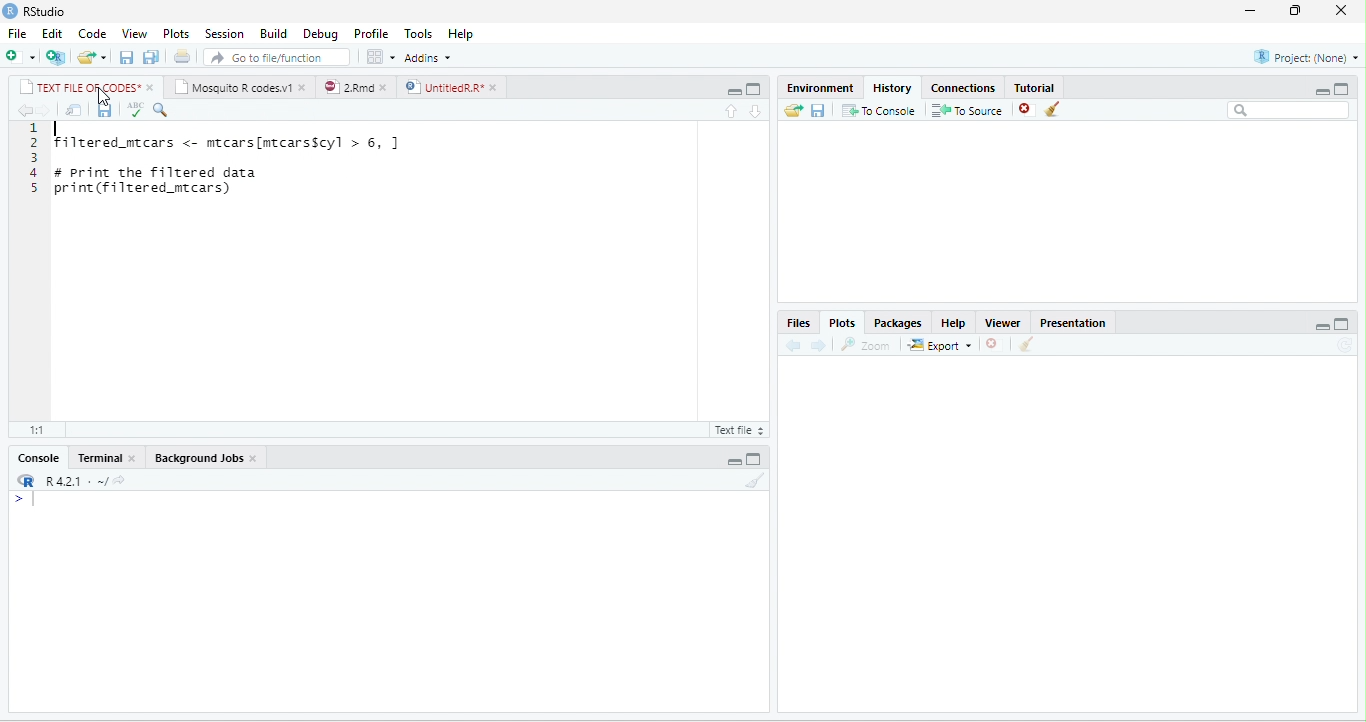 This screenshot has width=1366, height=722. Describe the element at coordinates (460, 34) in the screenshot. I see `Help` at that location.